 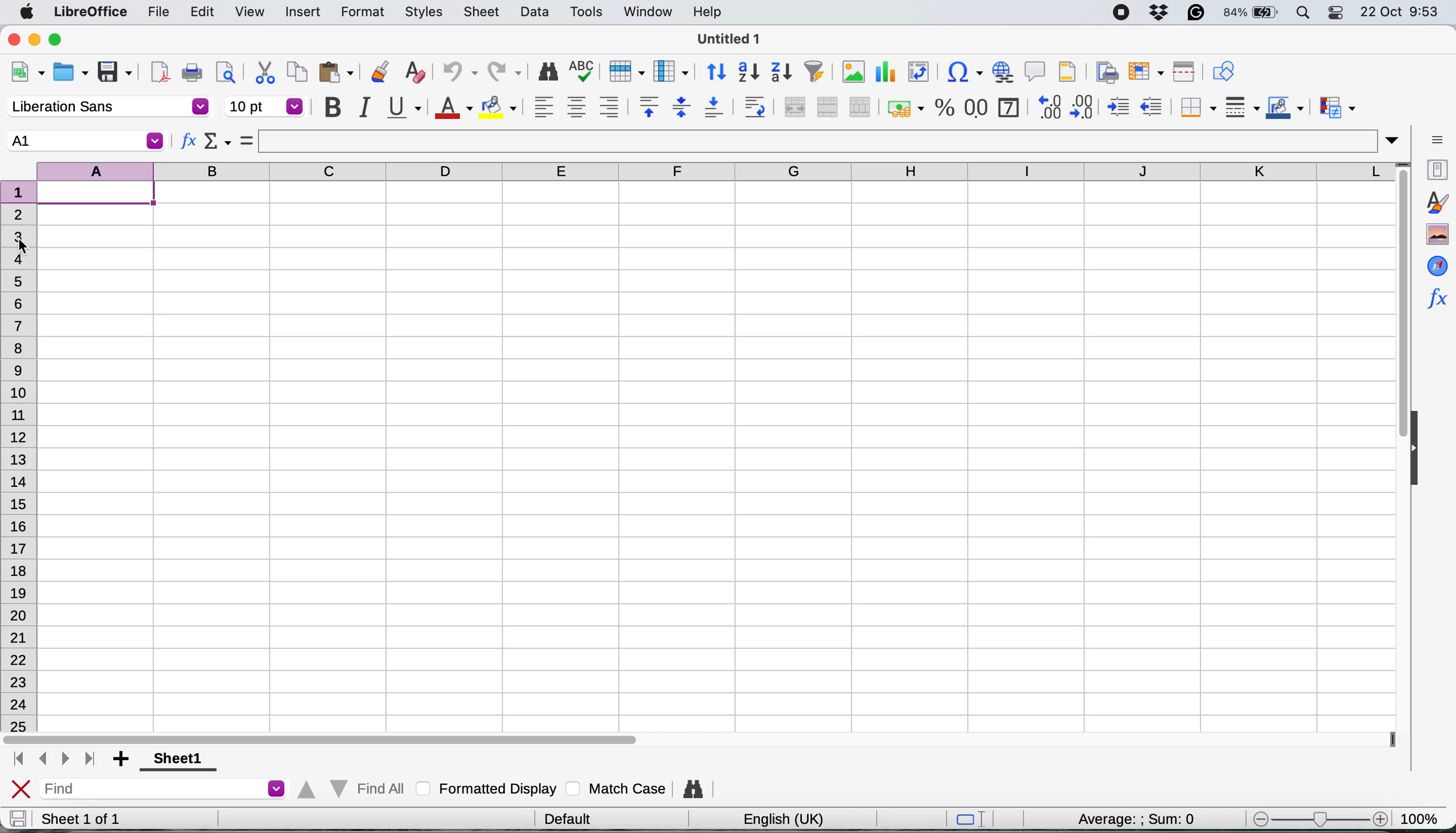 What do you see at coordinates (27, 74) in the screenshot?
I see `new` at bounding box center [27, 74].